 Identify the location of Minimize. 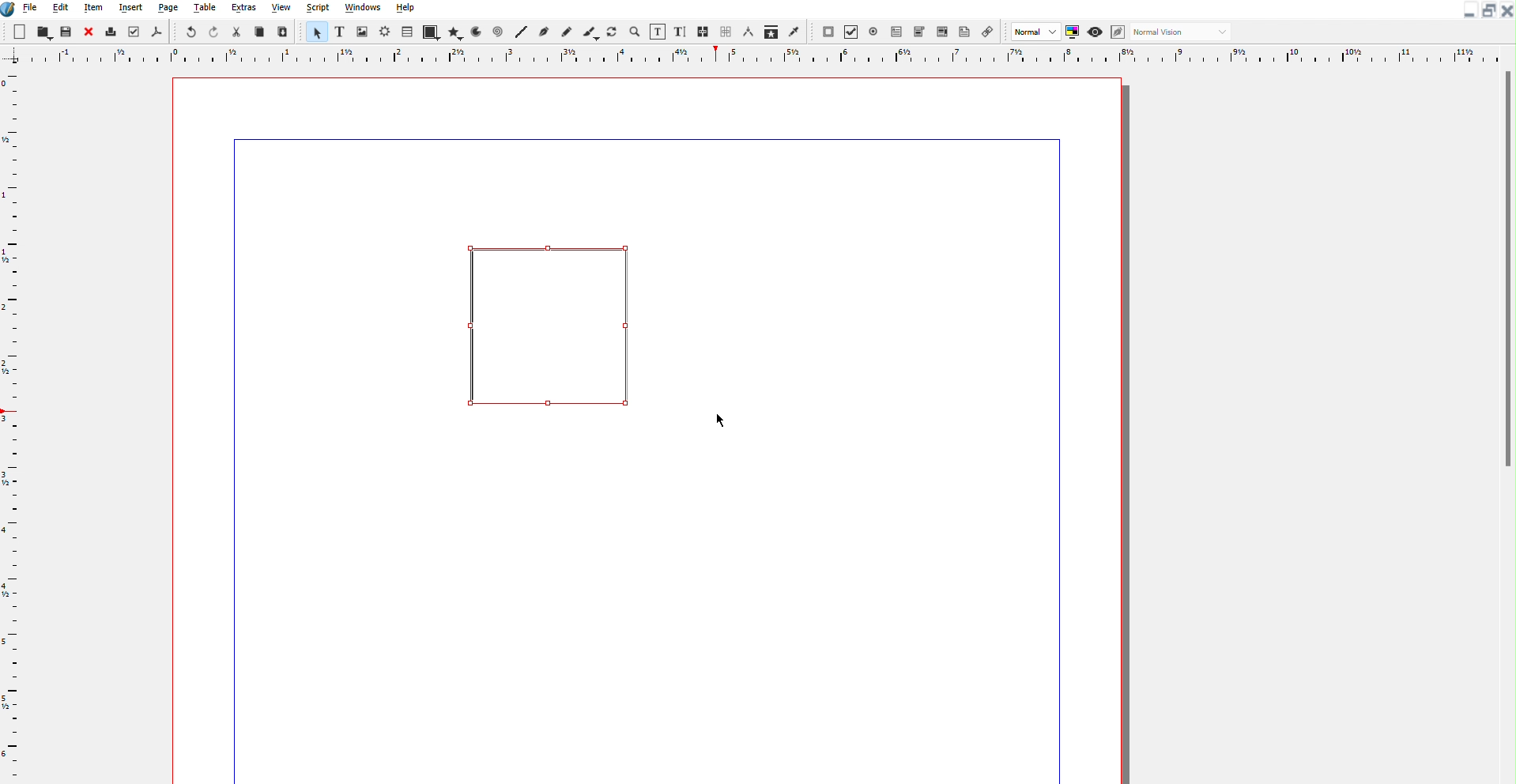
(1467, 10).